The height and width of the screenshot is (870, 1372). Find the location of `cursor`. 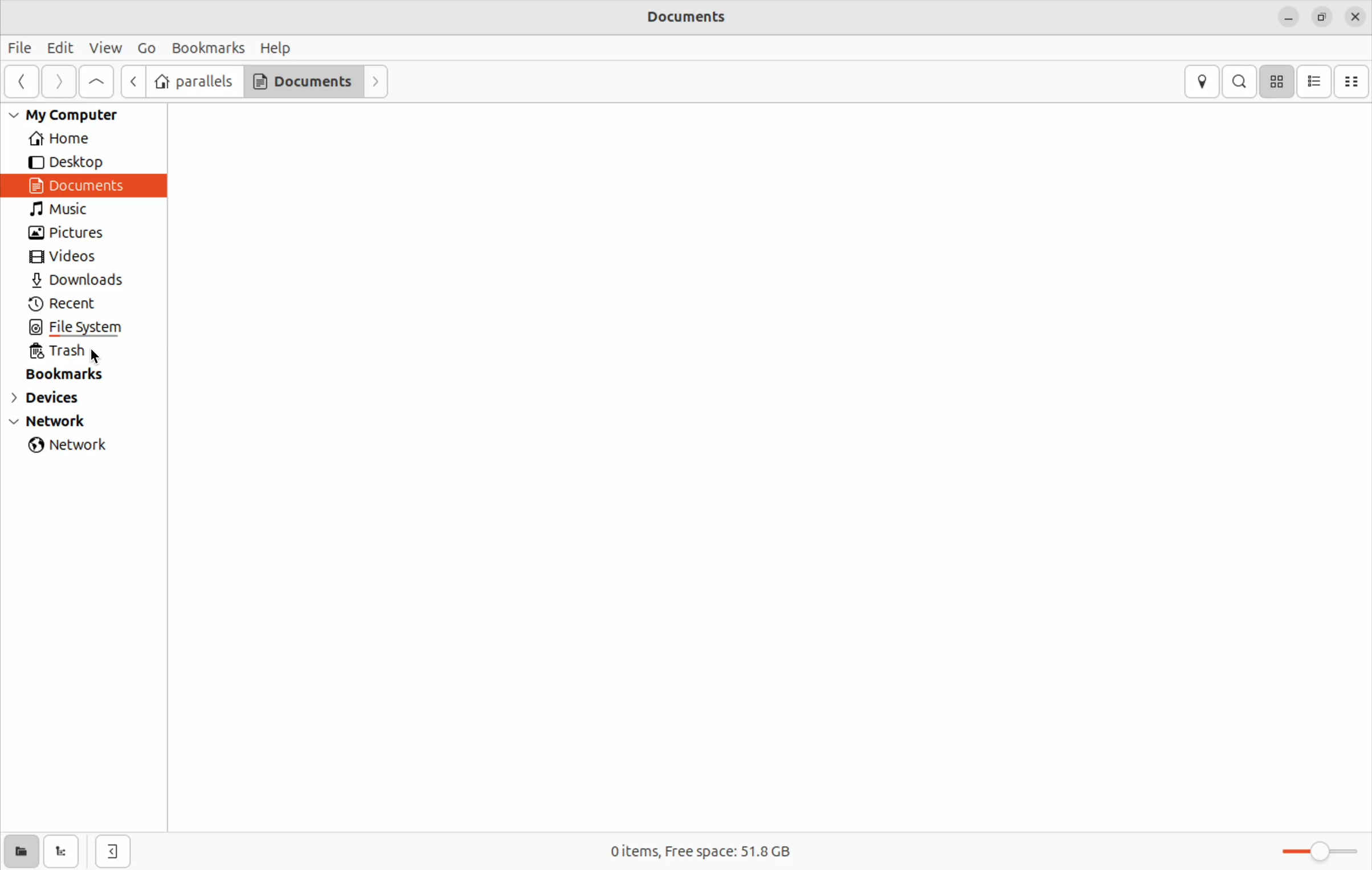

cursor is located at coordinates (101, 357).